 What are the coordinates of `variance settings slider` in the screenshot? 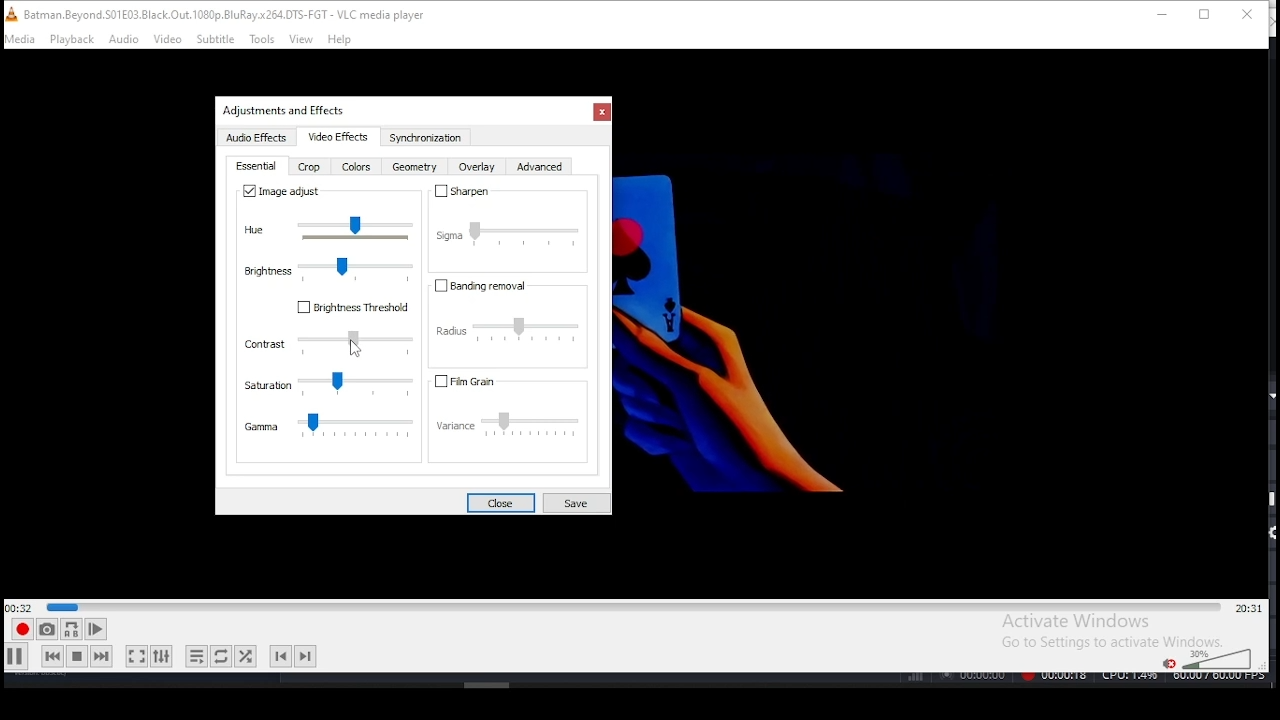 It's located at (515, 428).